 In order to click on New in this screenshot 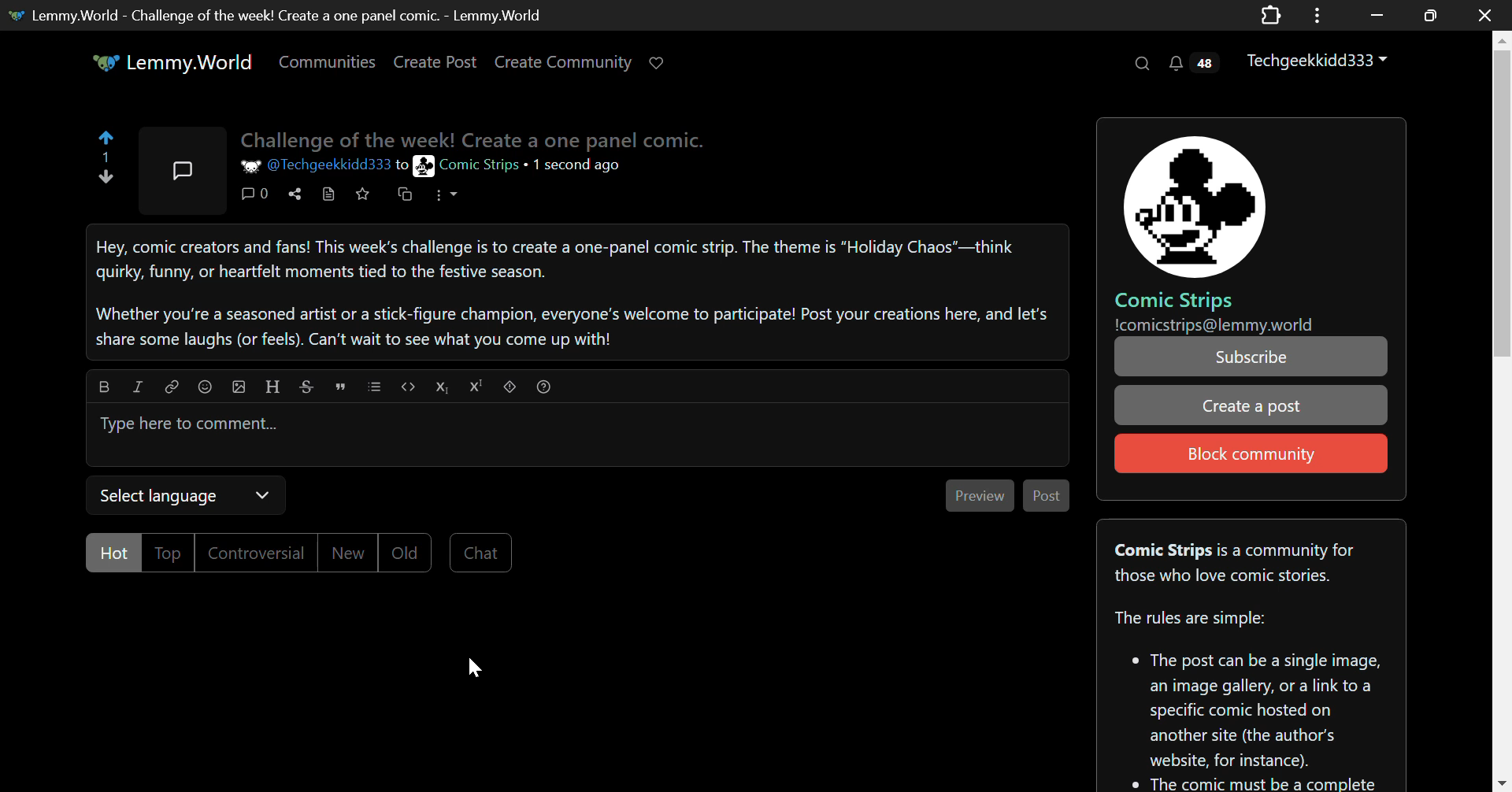, I will do `click(346, 551)`.